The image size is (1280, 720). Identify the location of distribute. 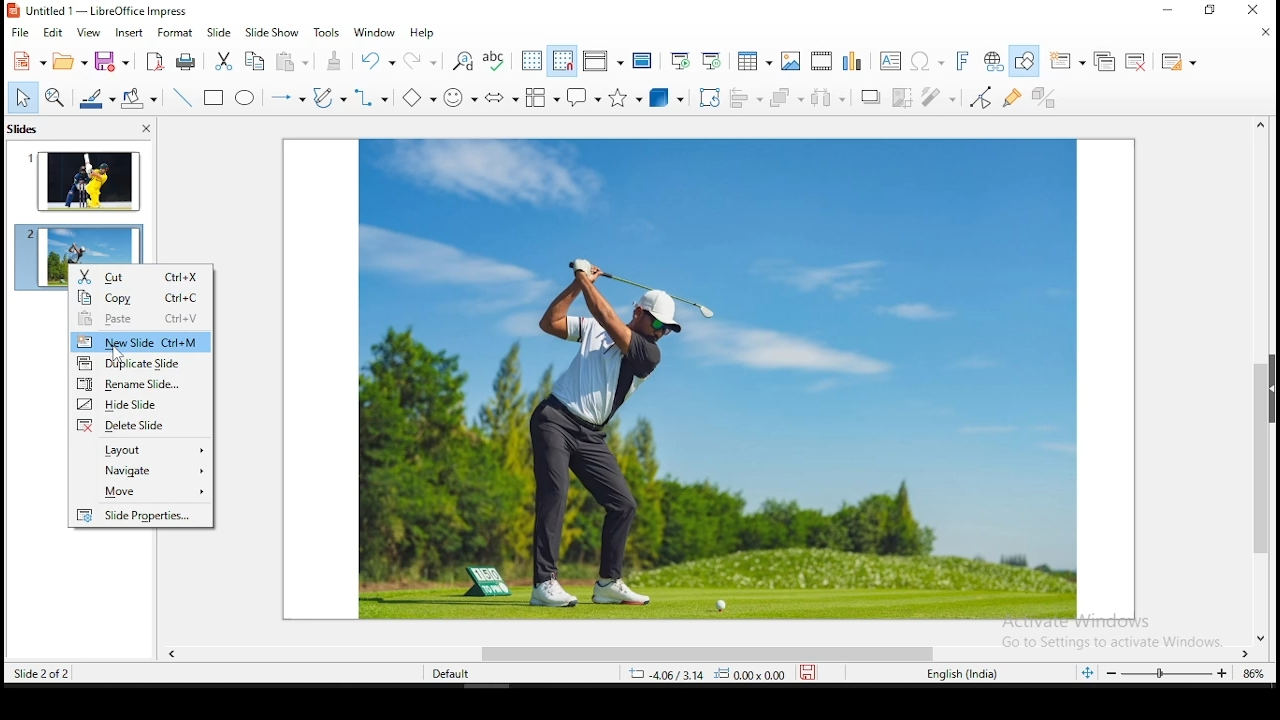
(827, 97).